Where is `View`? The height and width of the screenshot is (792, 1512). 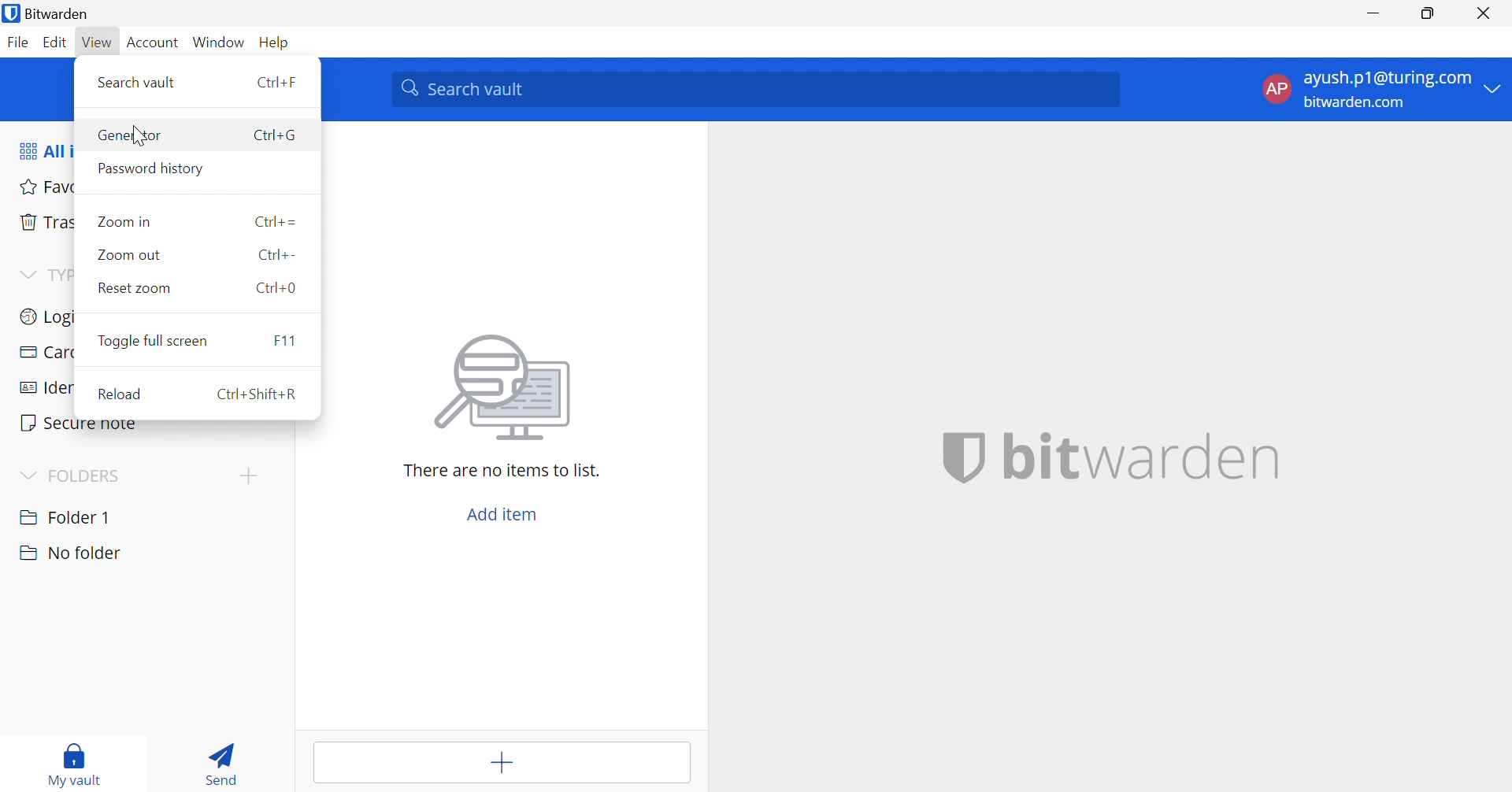
View is located at coordinates (98, 43).